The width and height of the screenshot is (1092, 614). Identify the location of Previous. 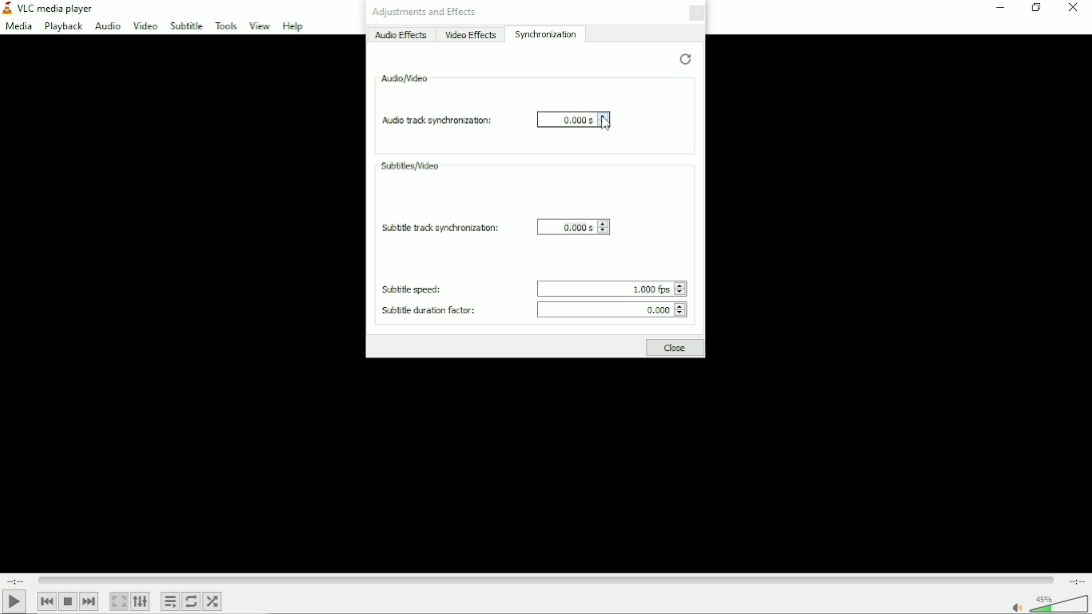
(48, 600).